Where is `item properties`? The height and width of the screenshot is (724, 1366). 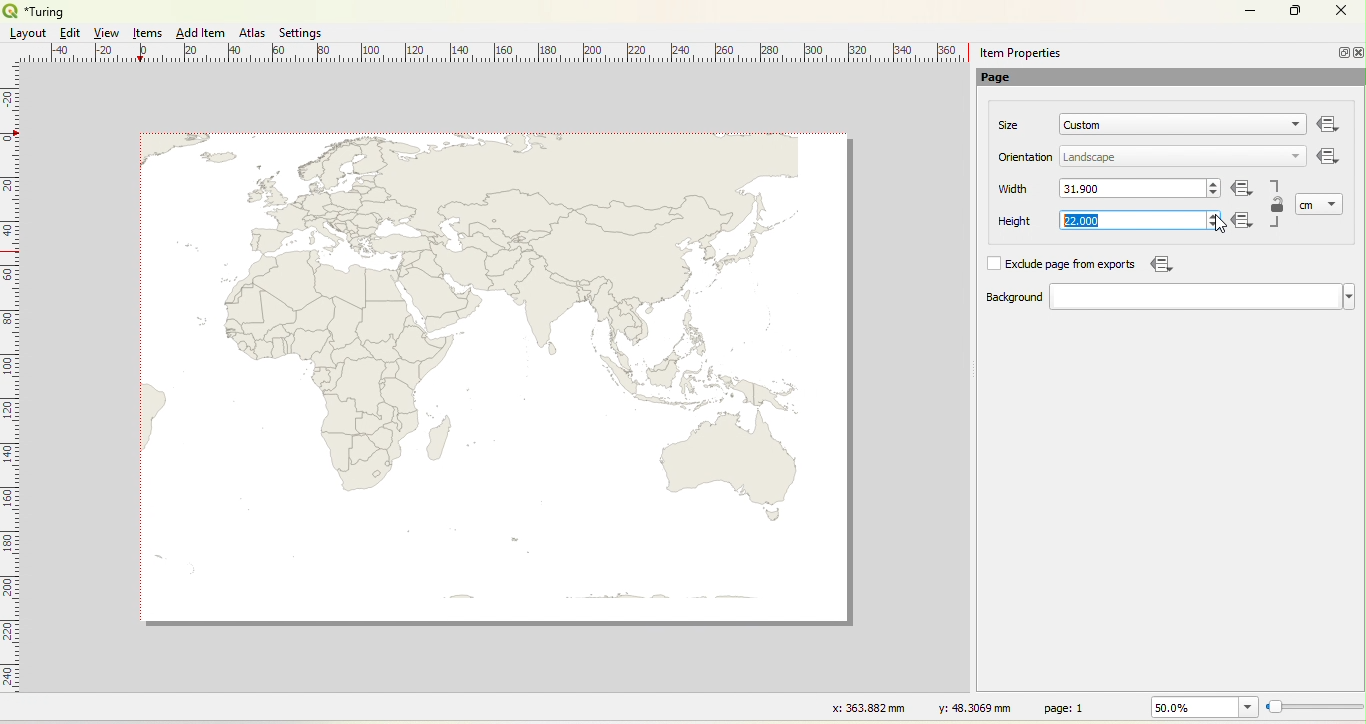 item properties is located at coordinates (1020, 53).